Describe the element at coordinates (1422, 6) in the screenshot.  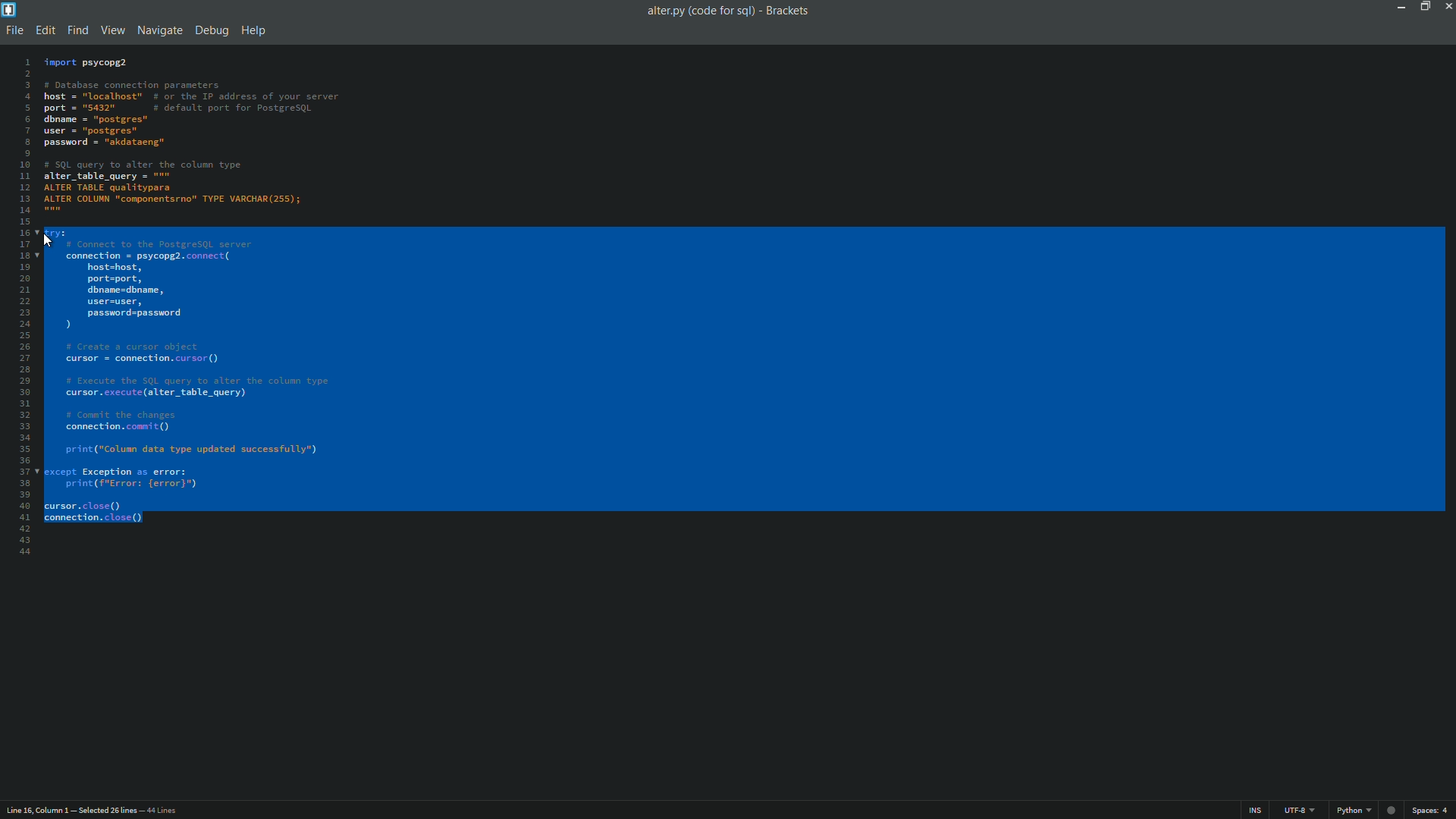
I see `maximize` at that location.